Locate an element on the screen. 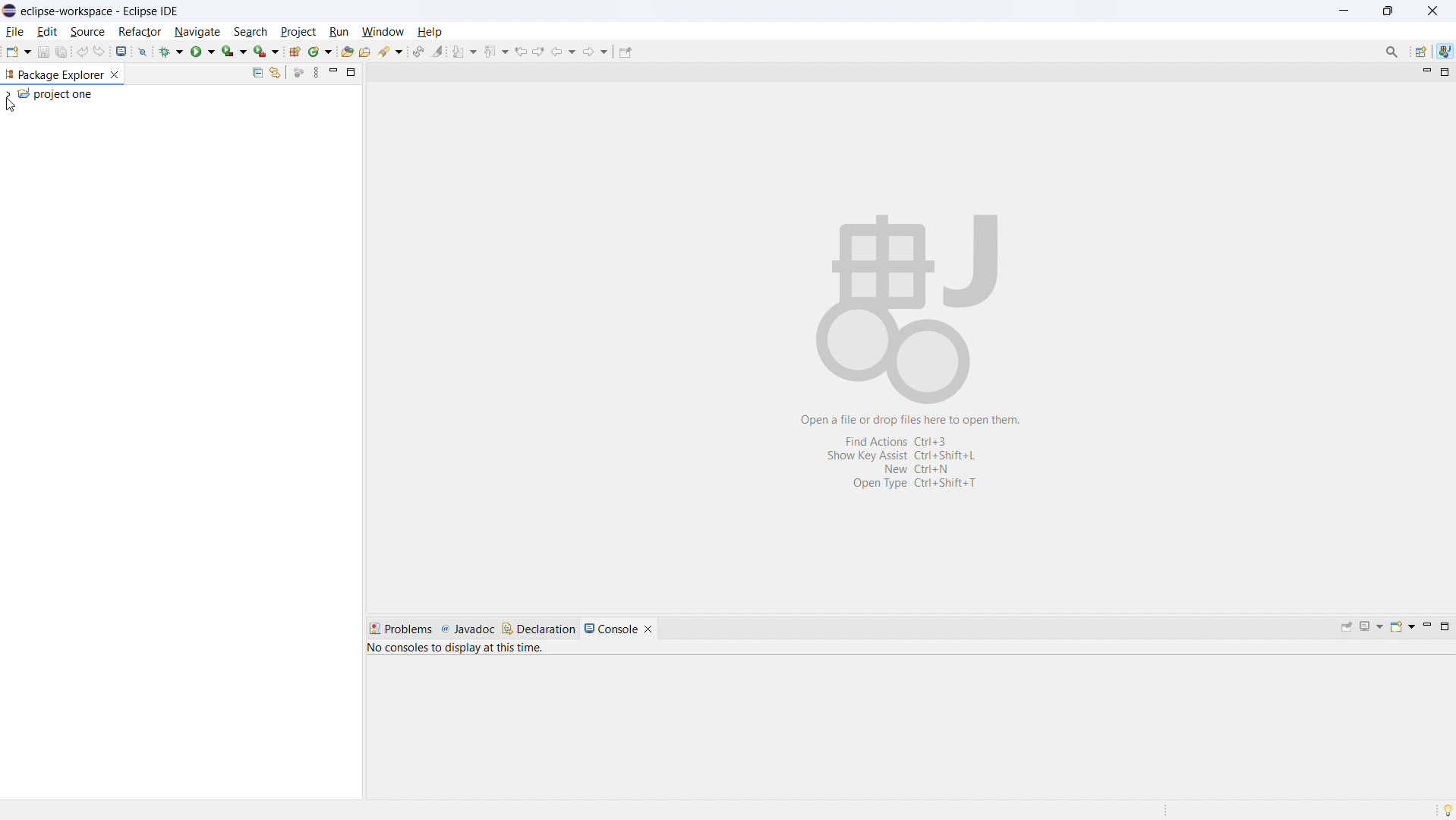 Image resolution: width=1456 pixels, height=820 pixels. save is located at coordinates (44, 52).